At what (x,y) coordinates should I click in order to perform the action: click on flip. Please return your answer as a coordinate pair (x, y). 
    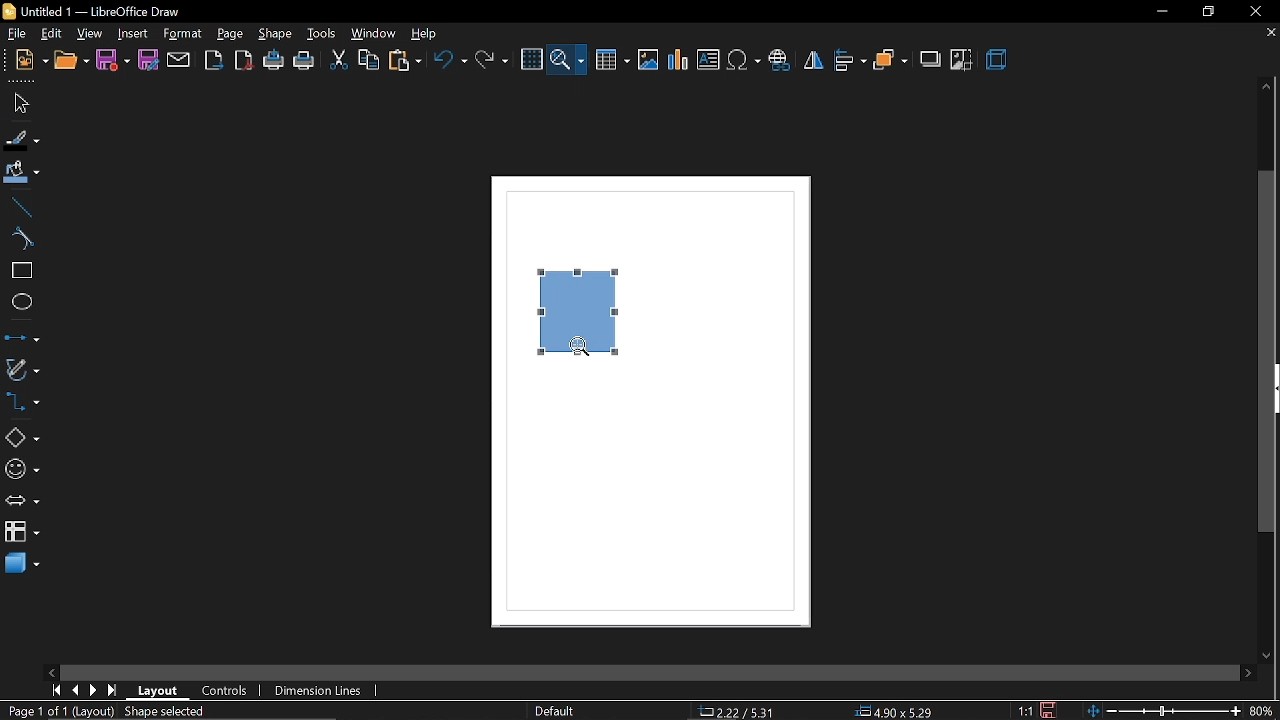
    Looking at the image, I should click on (812, 59).